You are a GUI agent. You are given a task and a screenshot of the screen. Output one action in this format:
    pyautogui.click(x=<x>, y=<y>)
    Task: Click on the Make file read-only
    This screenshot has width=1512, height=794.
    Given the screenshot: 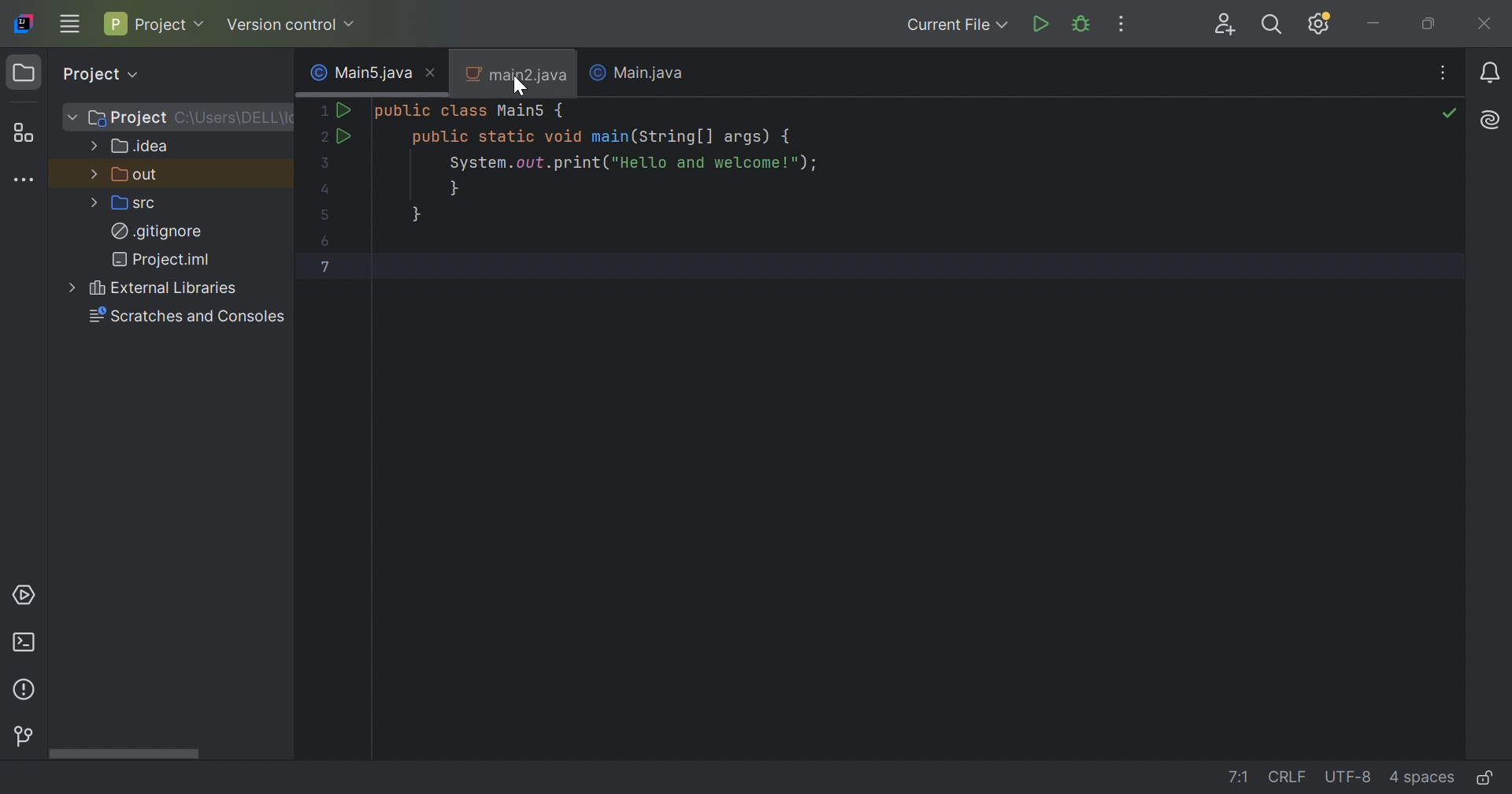 What is the action you would take?
    pyautogui.click(x=1492, y=780)
    